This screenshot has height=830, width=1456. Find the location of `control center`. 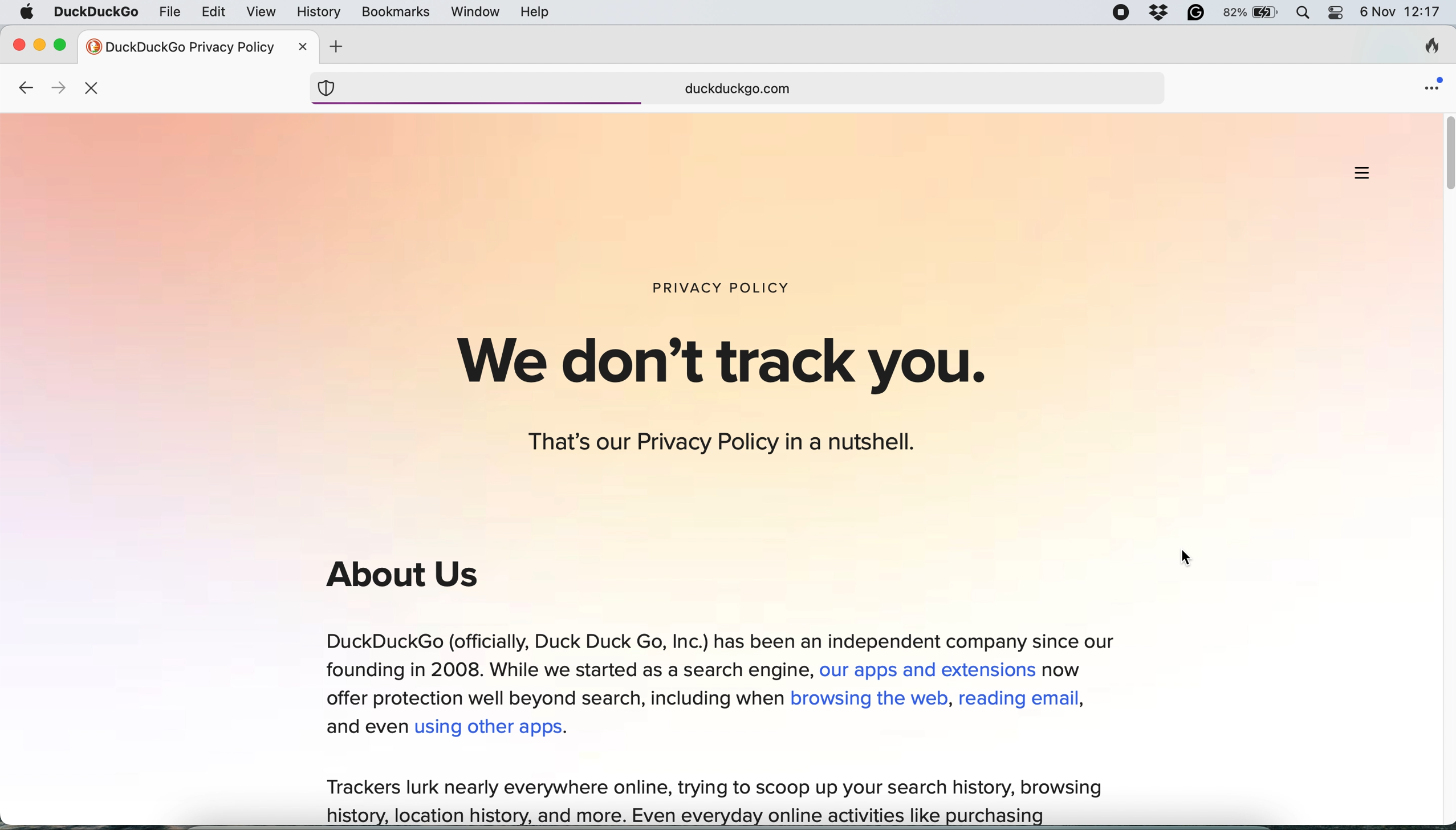

control center is located at coordinates (1335, 14).